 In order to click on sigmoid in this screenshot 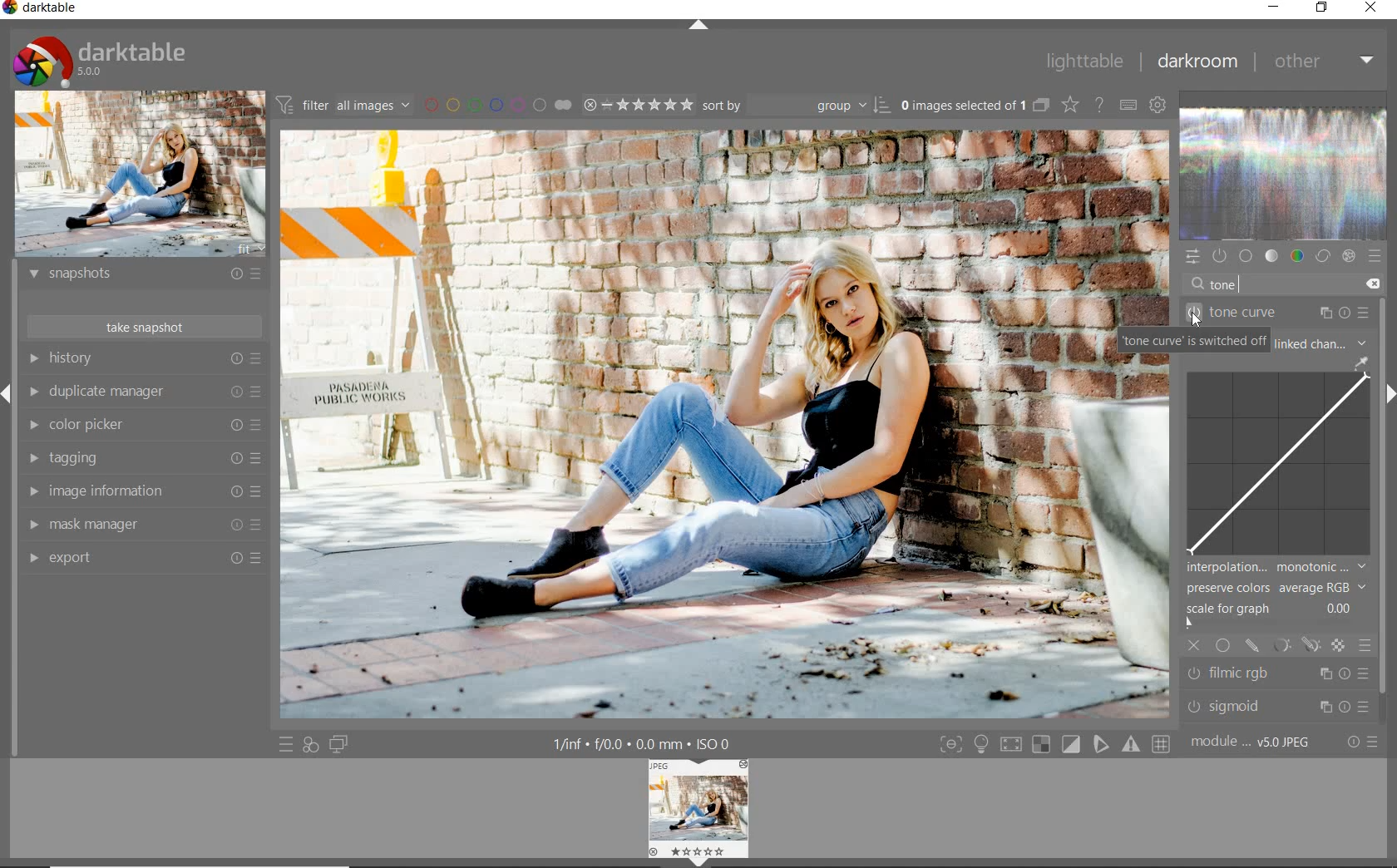, I will do `click(1276, 706)`.